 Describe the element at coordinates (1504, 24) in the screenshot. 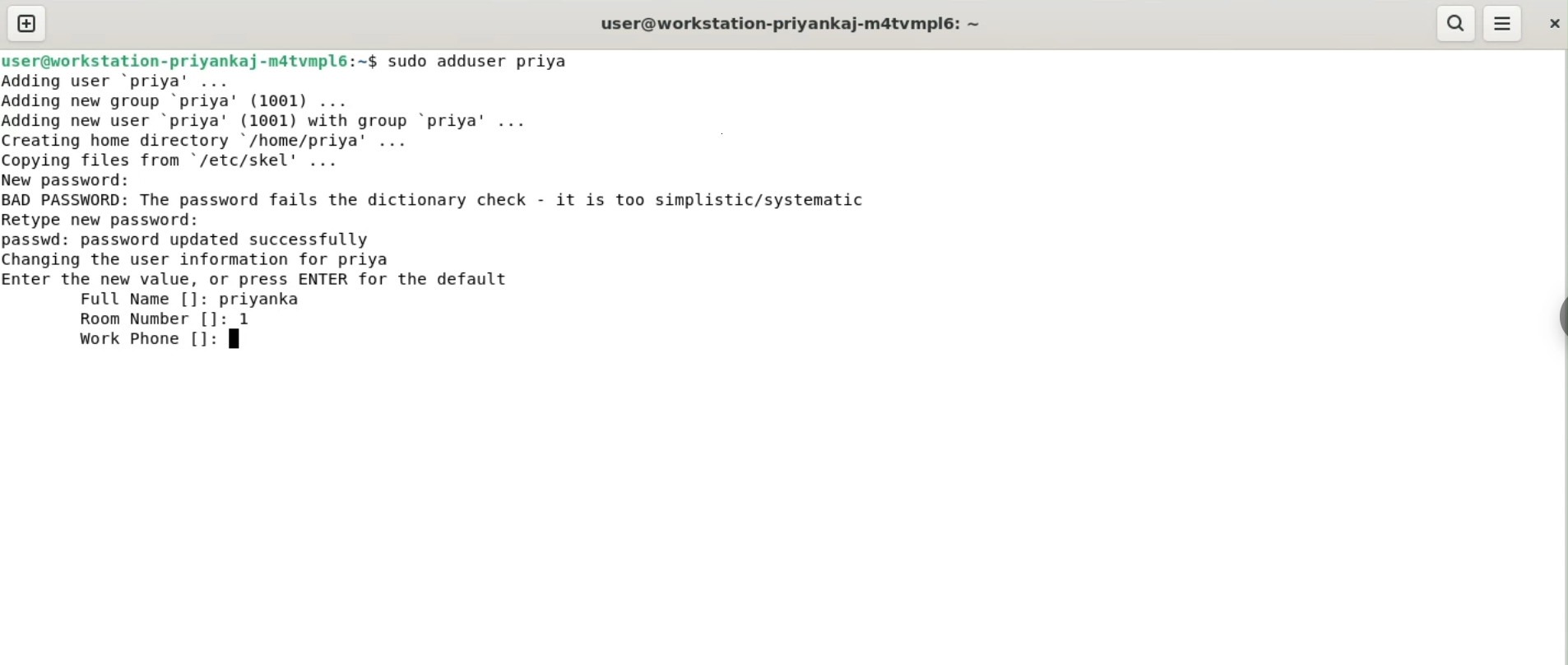

I see `menu` at that location.